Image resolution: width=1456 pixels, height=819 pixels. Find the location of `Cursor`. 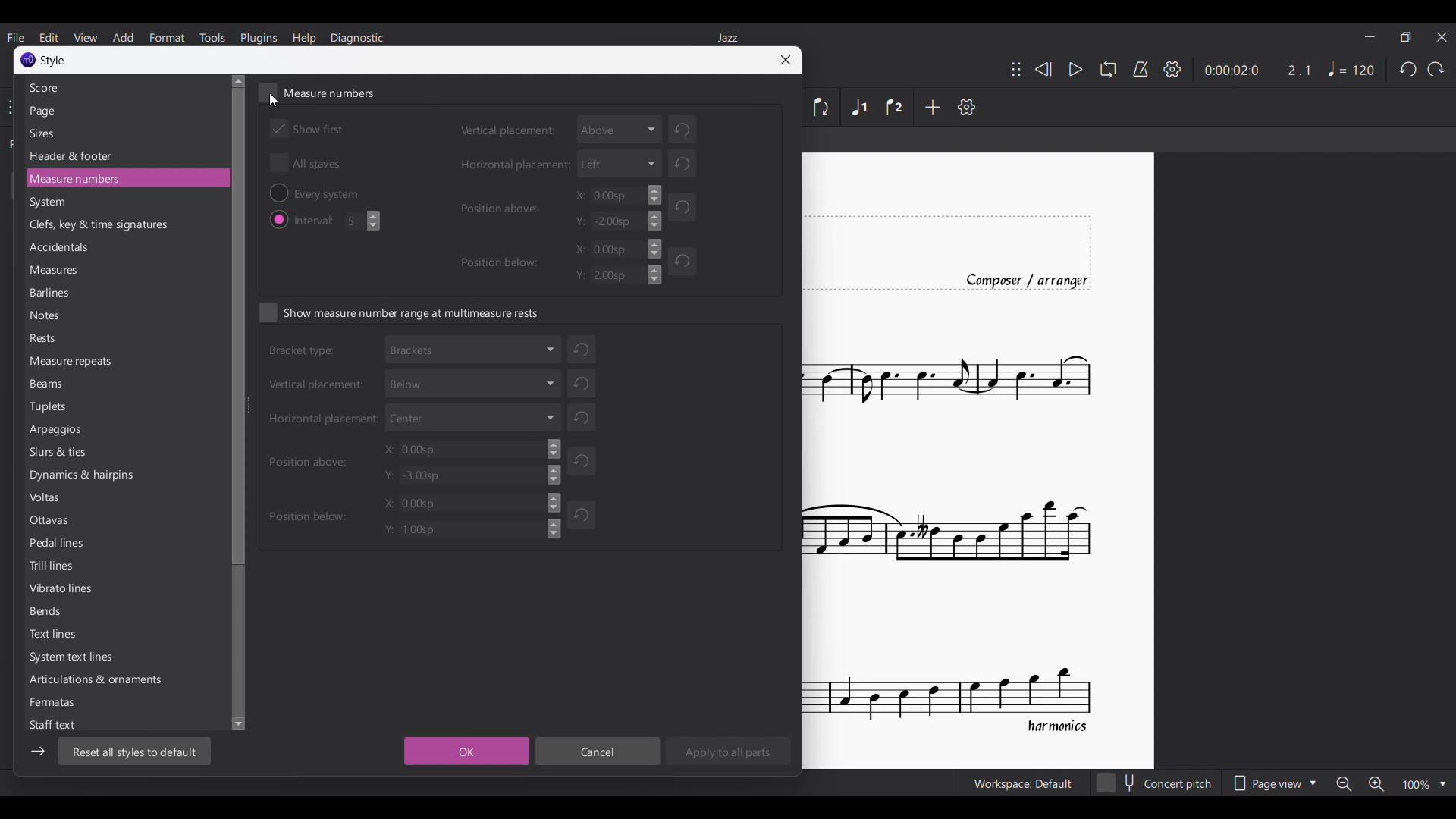

Cursor is located at coordinates (273, 98).